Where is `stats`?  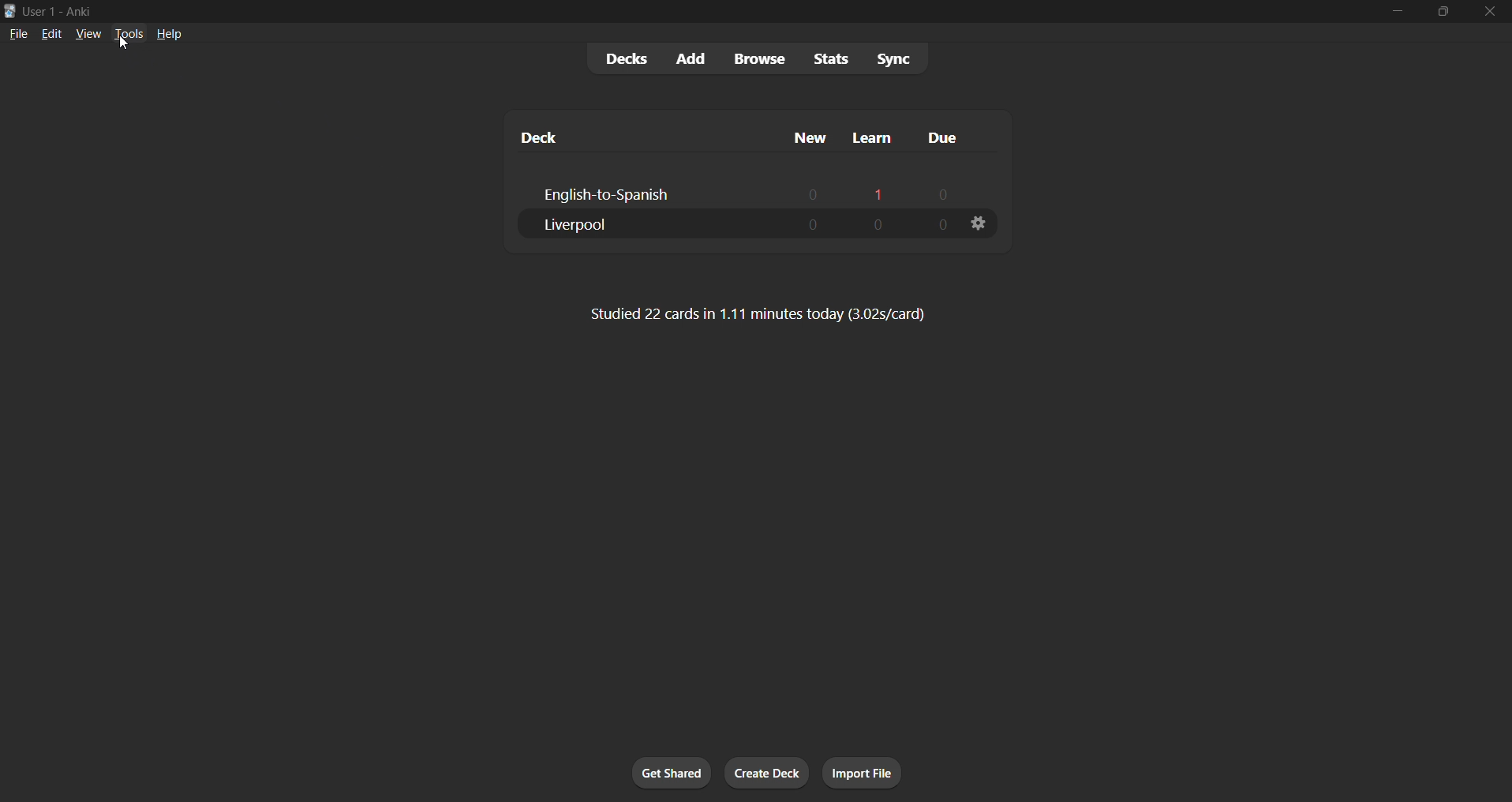 stats is located at coordinates (823, 58).